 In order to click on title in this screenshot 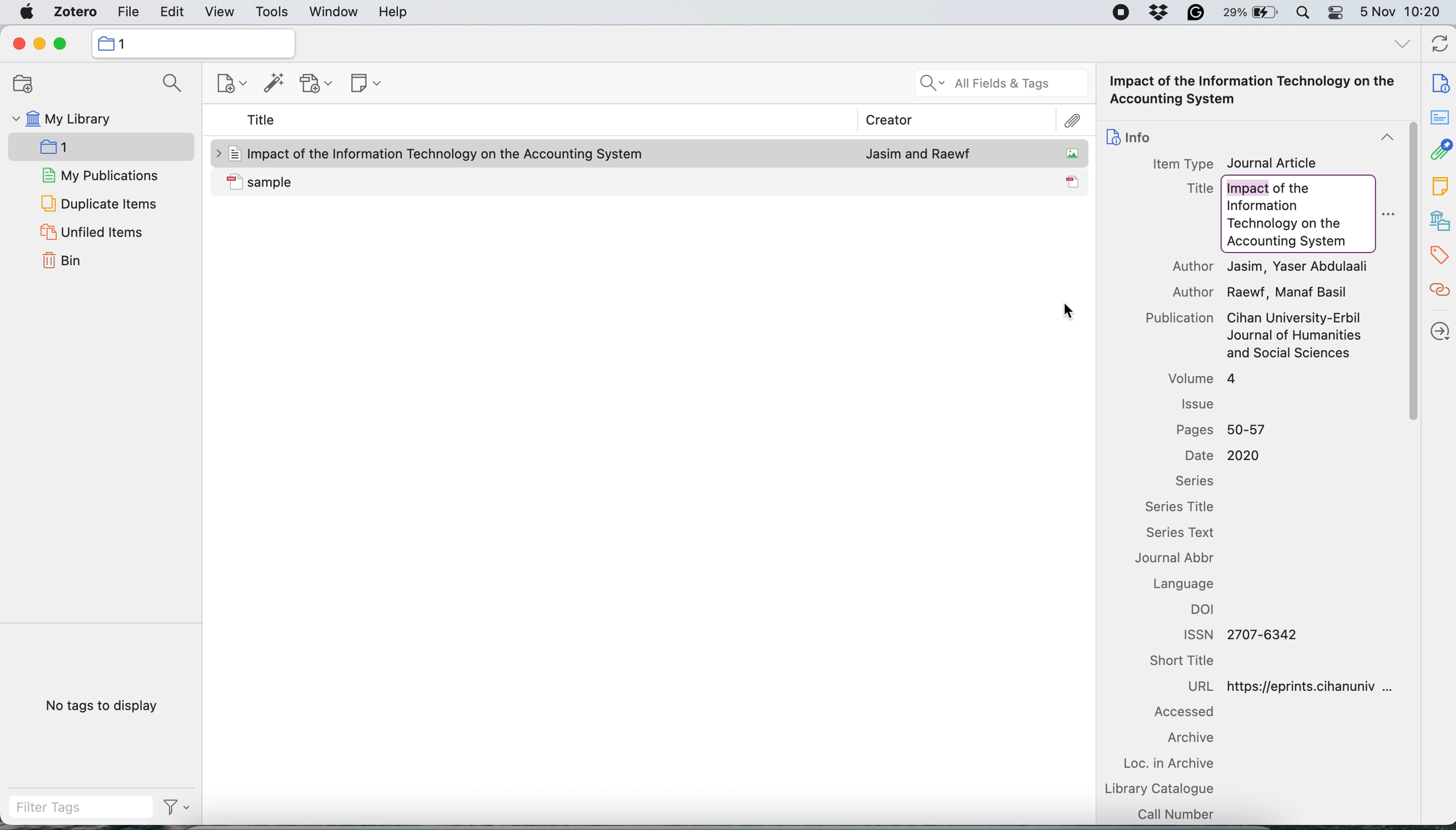, I will do `click(262, 122)`.